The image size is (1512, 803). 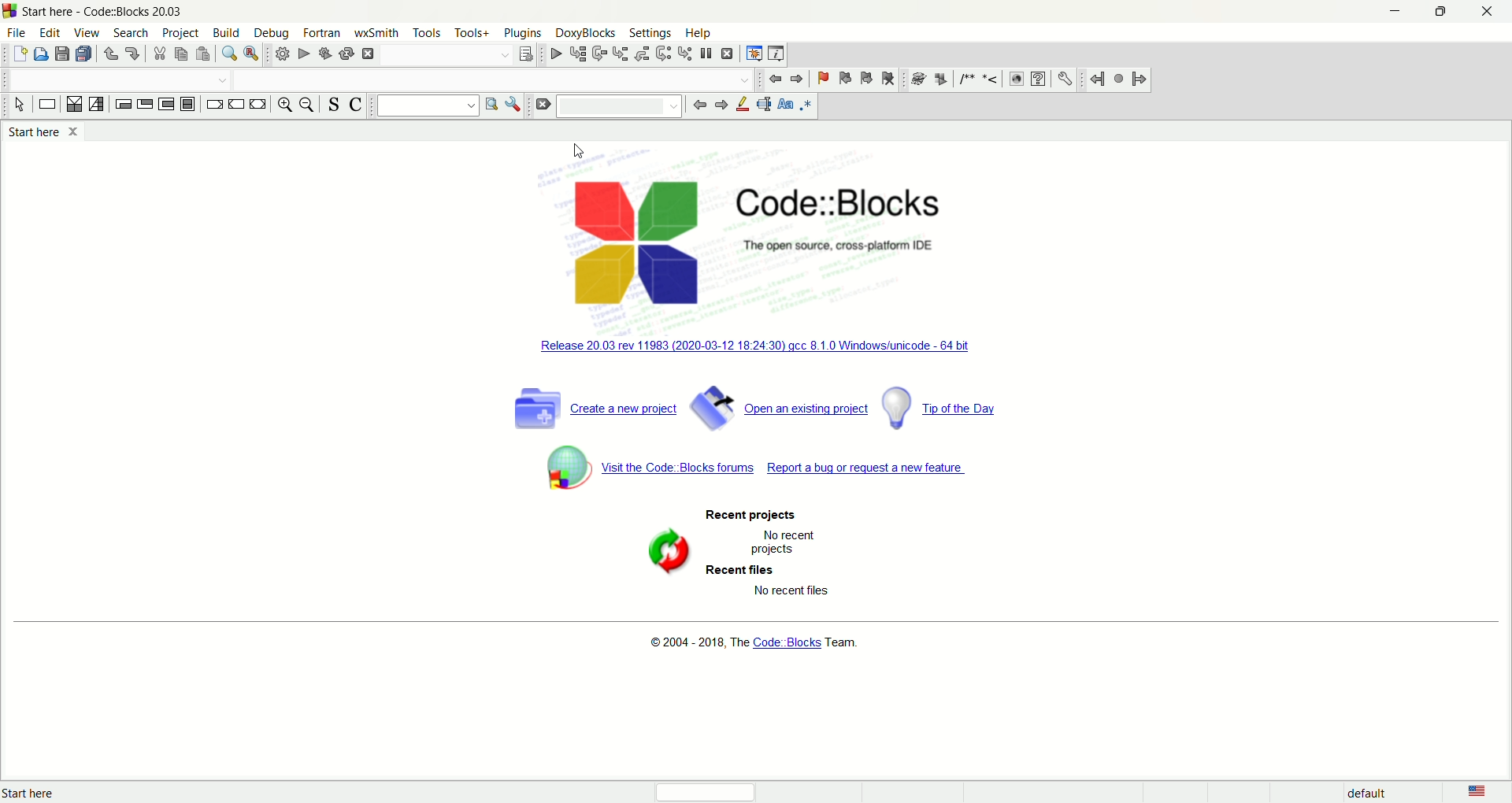 I want to click on toggle comment, so click(x=358, y=106).